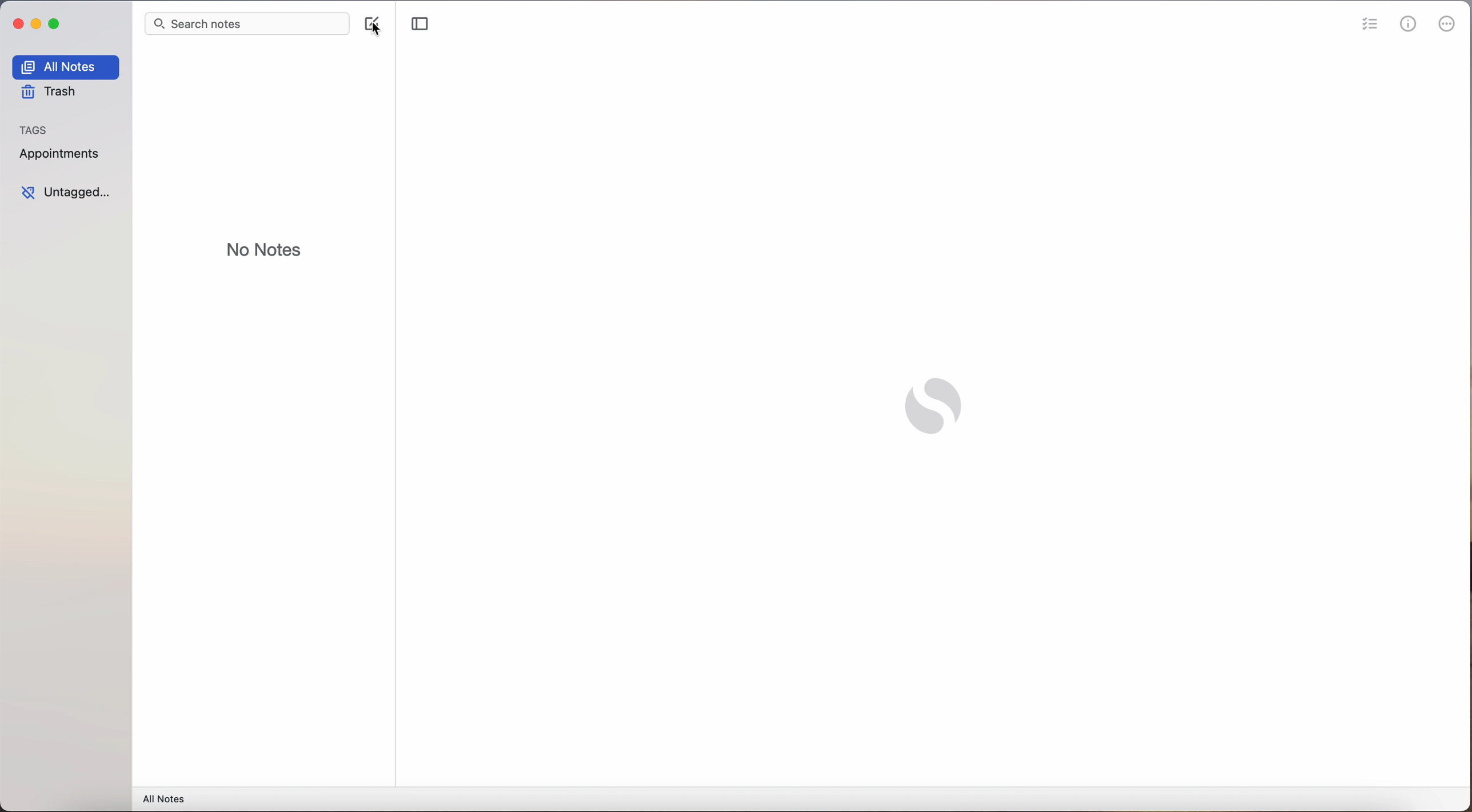 The height and width of the screenshot is (812, 1472). I want to click on trash, so click(54, 91).